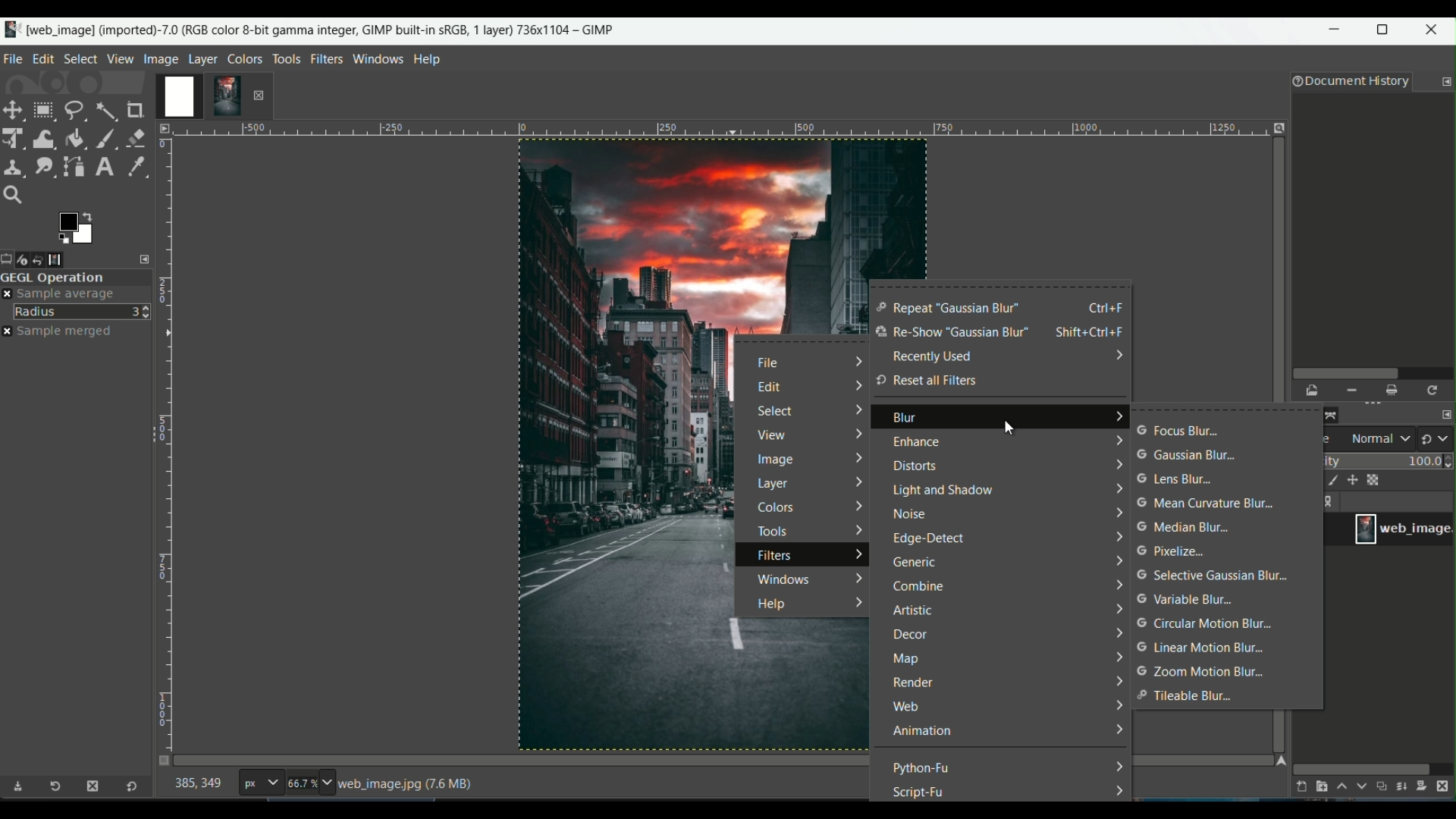 The image size is (1456, 819). What do you see at coordinates (1376, 479) in the screenshot?
I see `lock alpha channel` at bounding box center [1376, 479].